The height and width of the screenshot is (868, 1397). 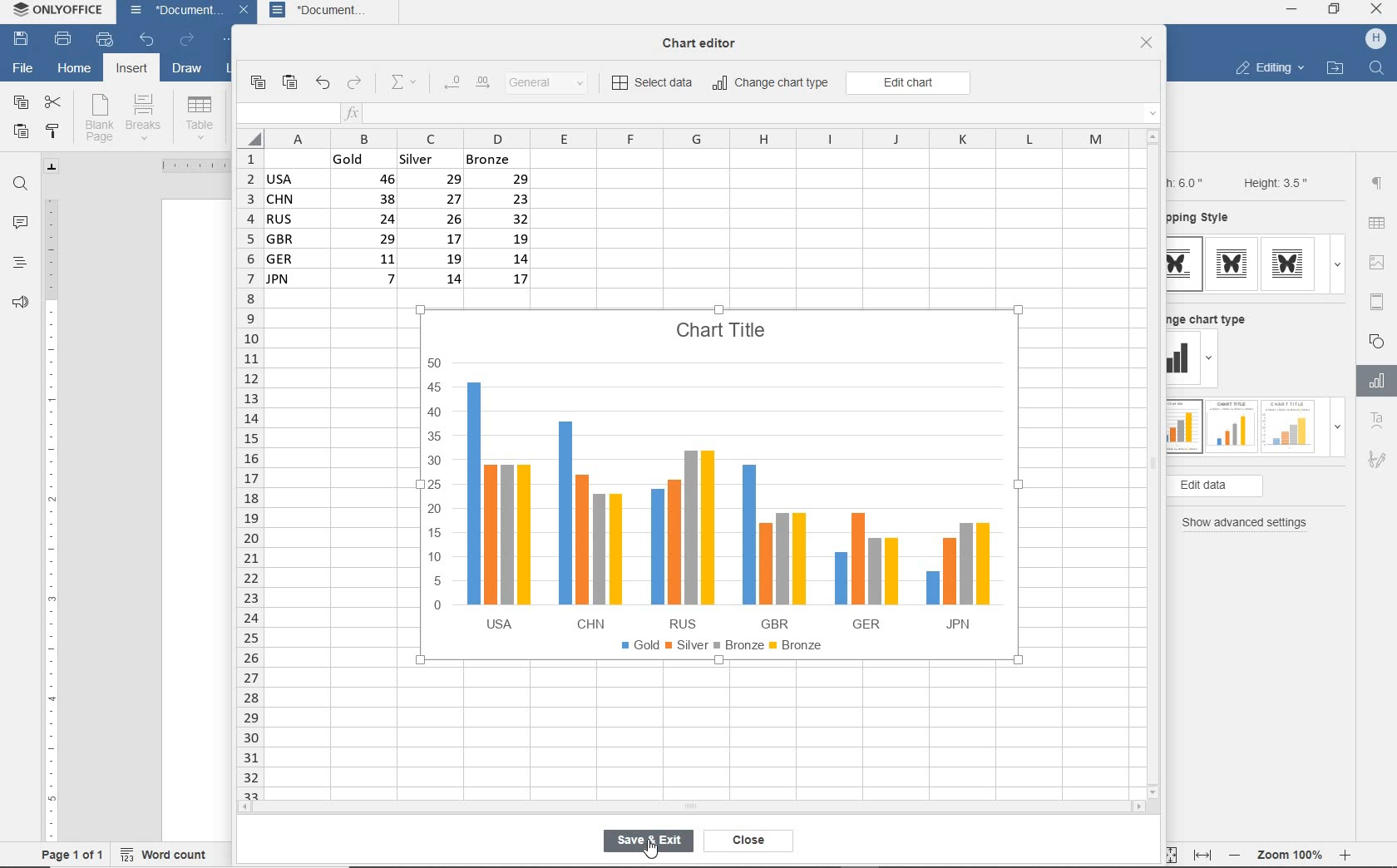 What do you see at coordinates (22, 40) in the screenshot?
I see `save` at bounding box center [22, 40].